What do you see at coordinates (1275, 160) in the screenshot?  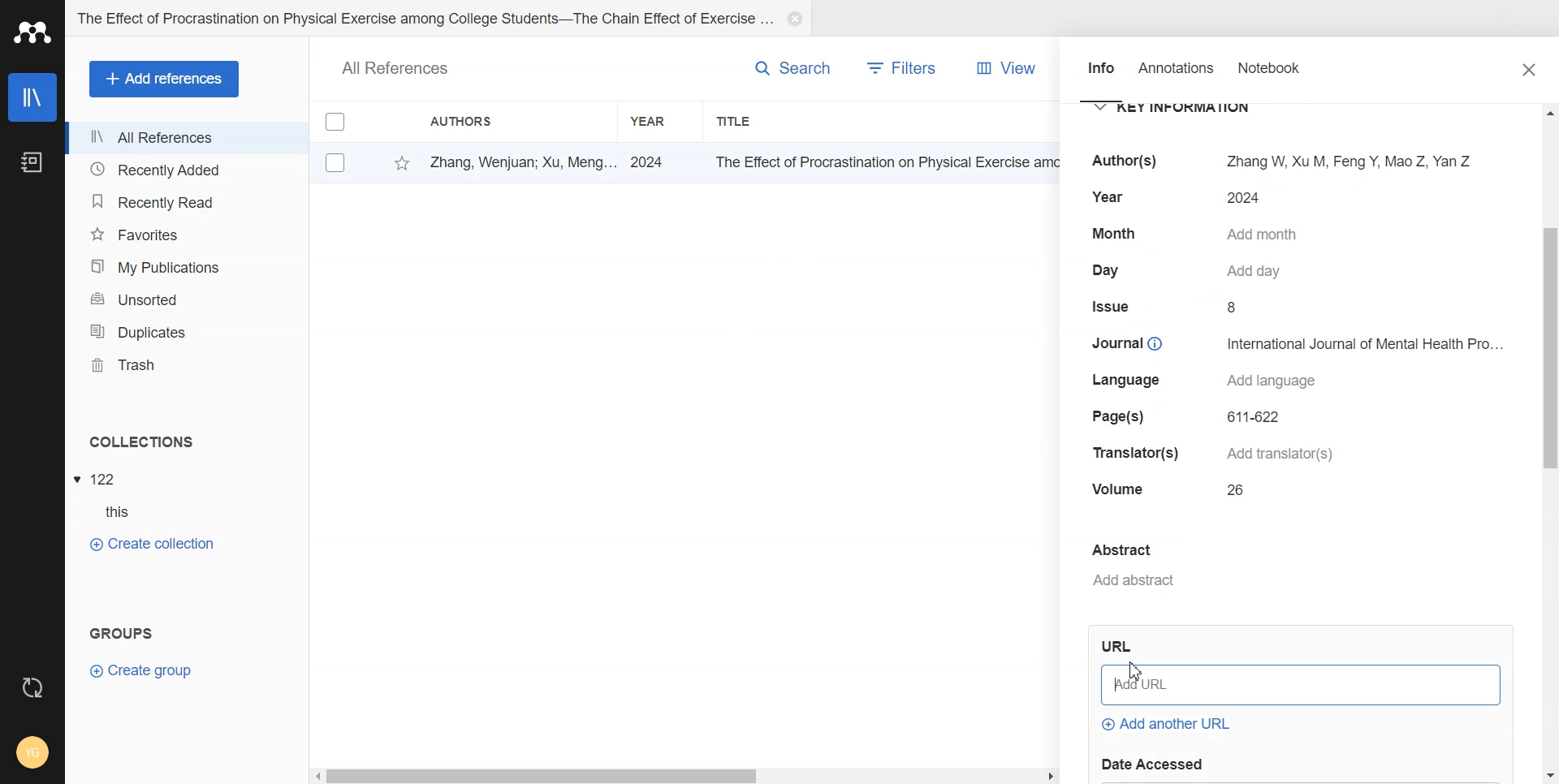 I see `Author(s) Zhang W, XuM, FengY, Mao Z, Yan Z` at bounding box center [1275, 160].